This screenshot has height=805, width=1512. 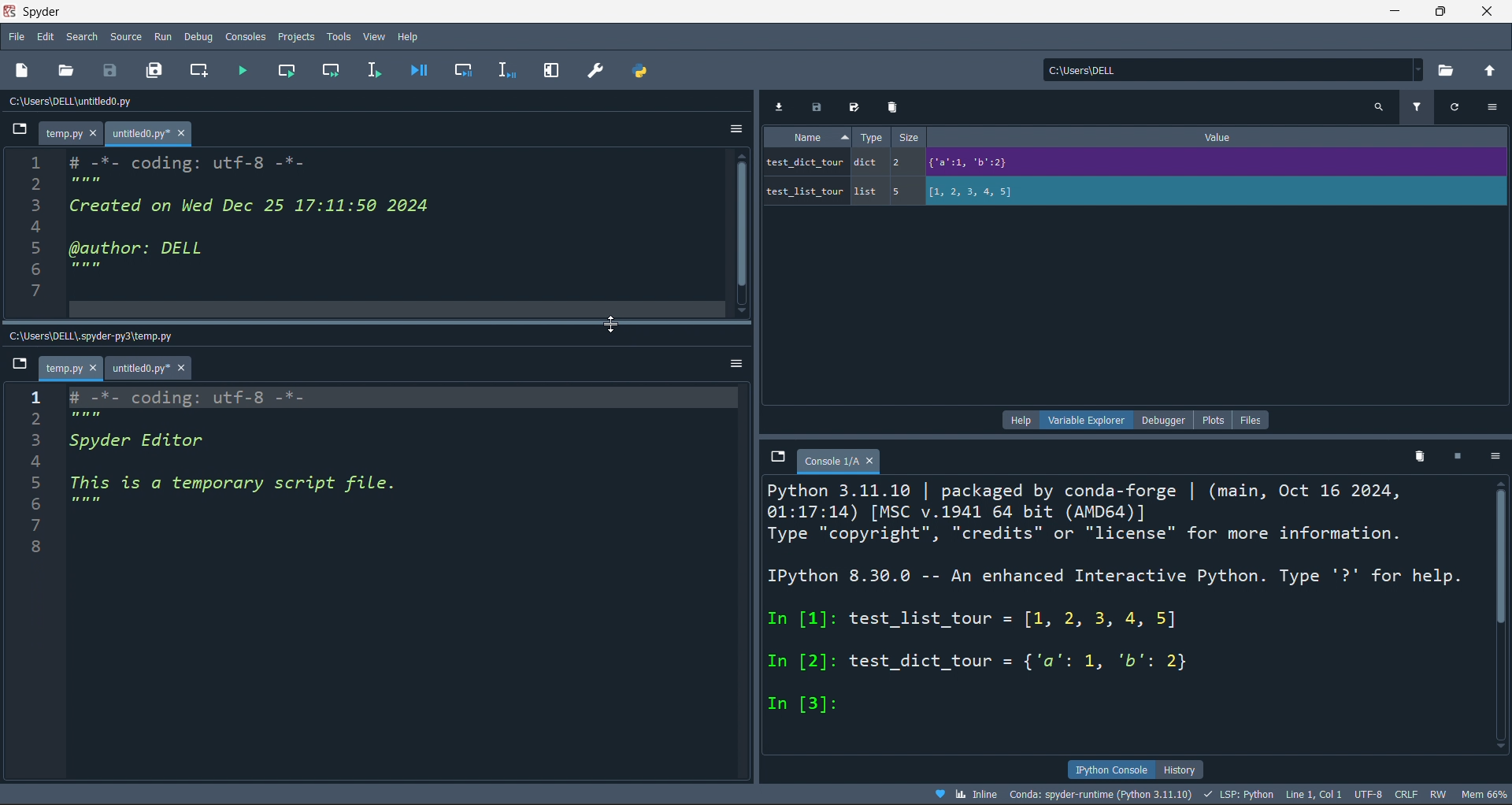 What do you see at coordinates (925, 191) in the screenshot?
I see `test list tour list 5 |[1,2,3, 4, 5)` at bounding box center [925, 191].